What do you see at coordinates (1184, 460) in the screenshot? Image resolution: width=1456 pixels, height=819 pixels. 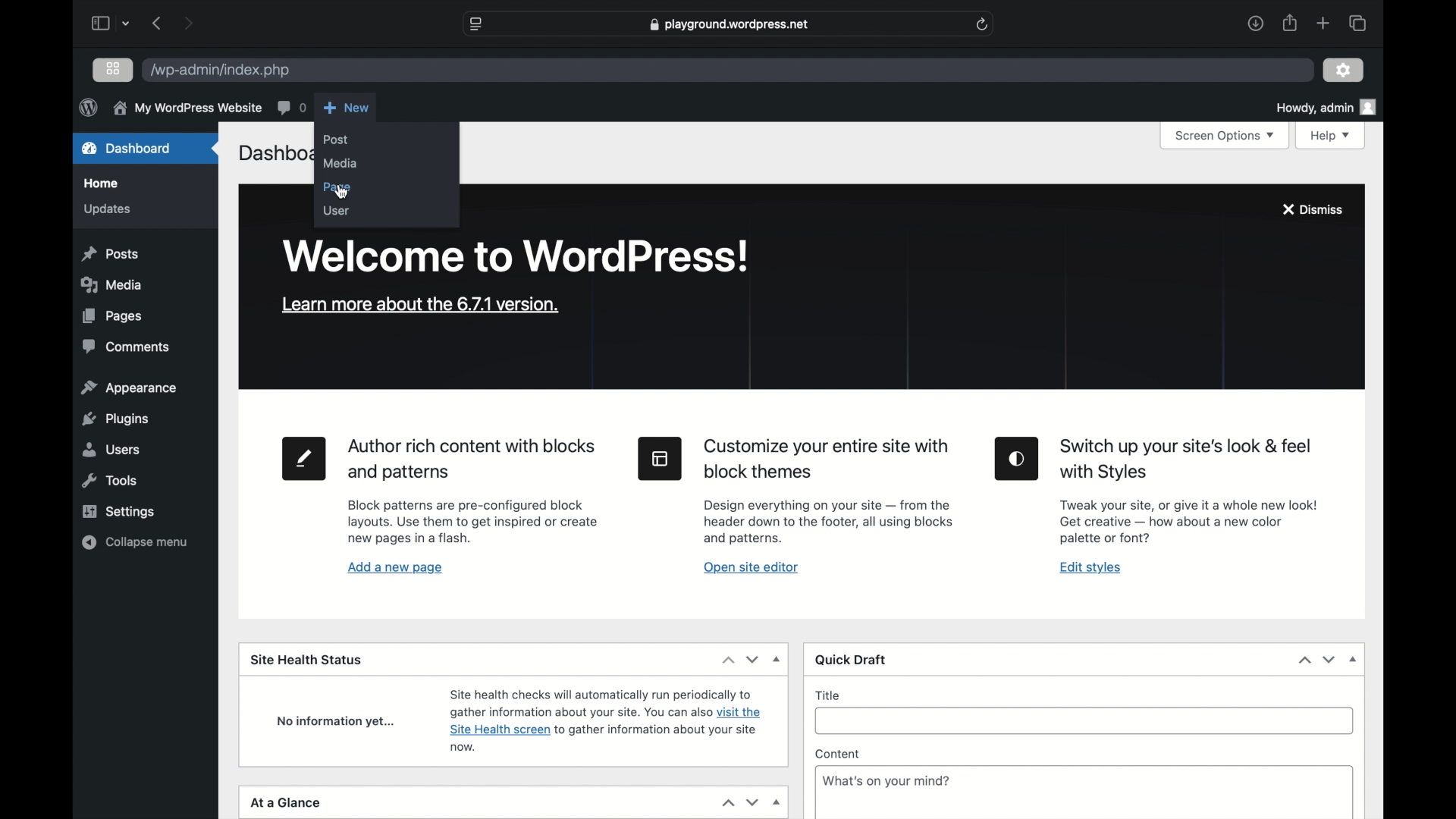 I see `Headline` at bounding box center [1184, 460].